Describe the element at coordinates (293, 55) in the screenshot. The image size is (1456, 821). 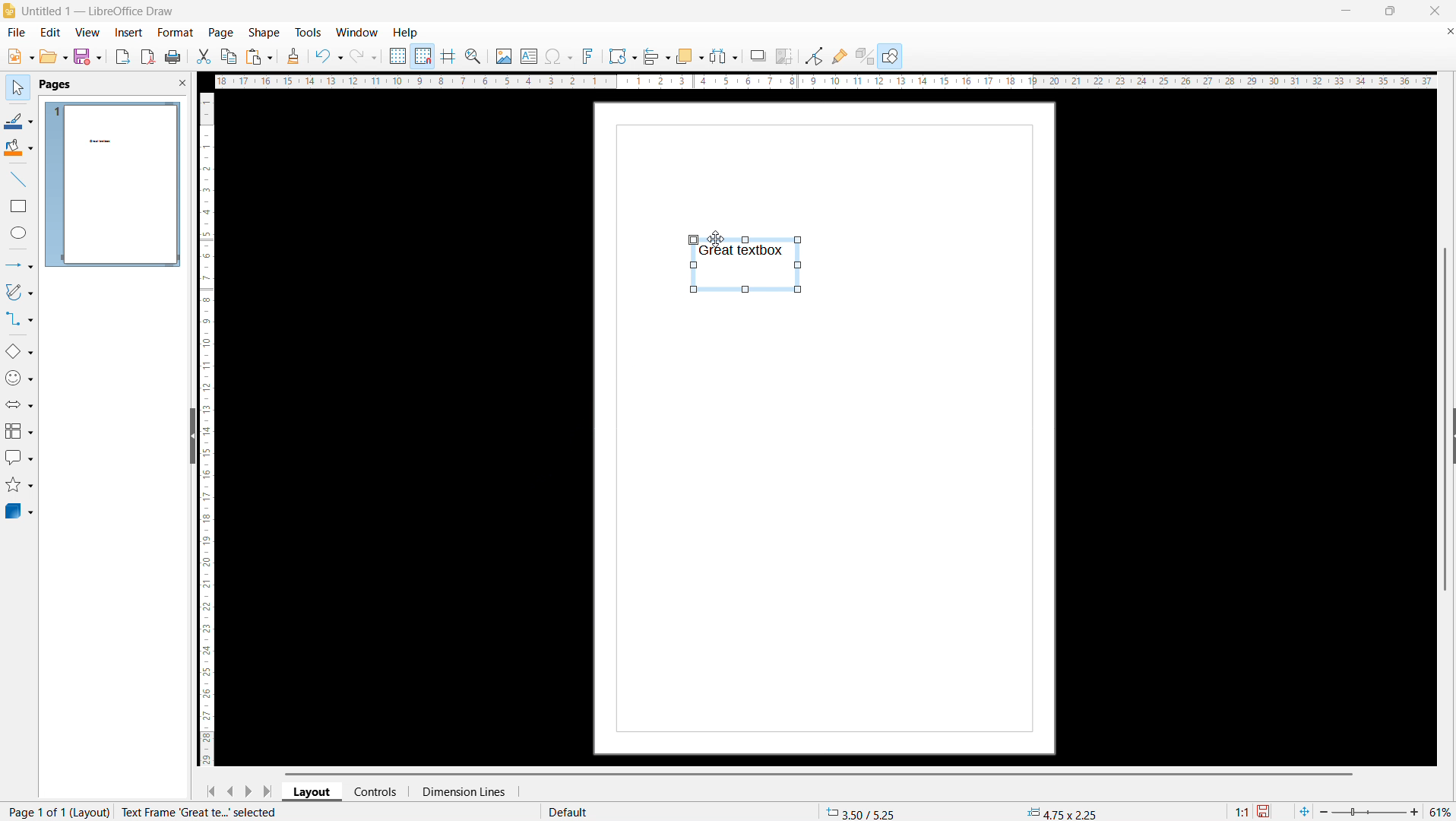
I see `clone formatting` at that location.